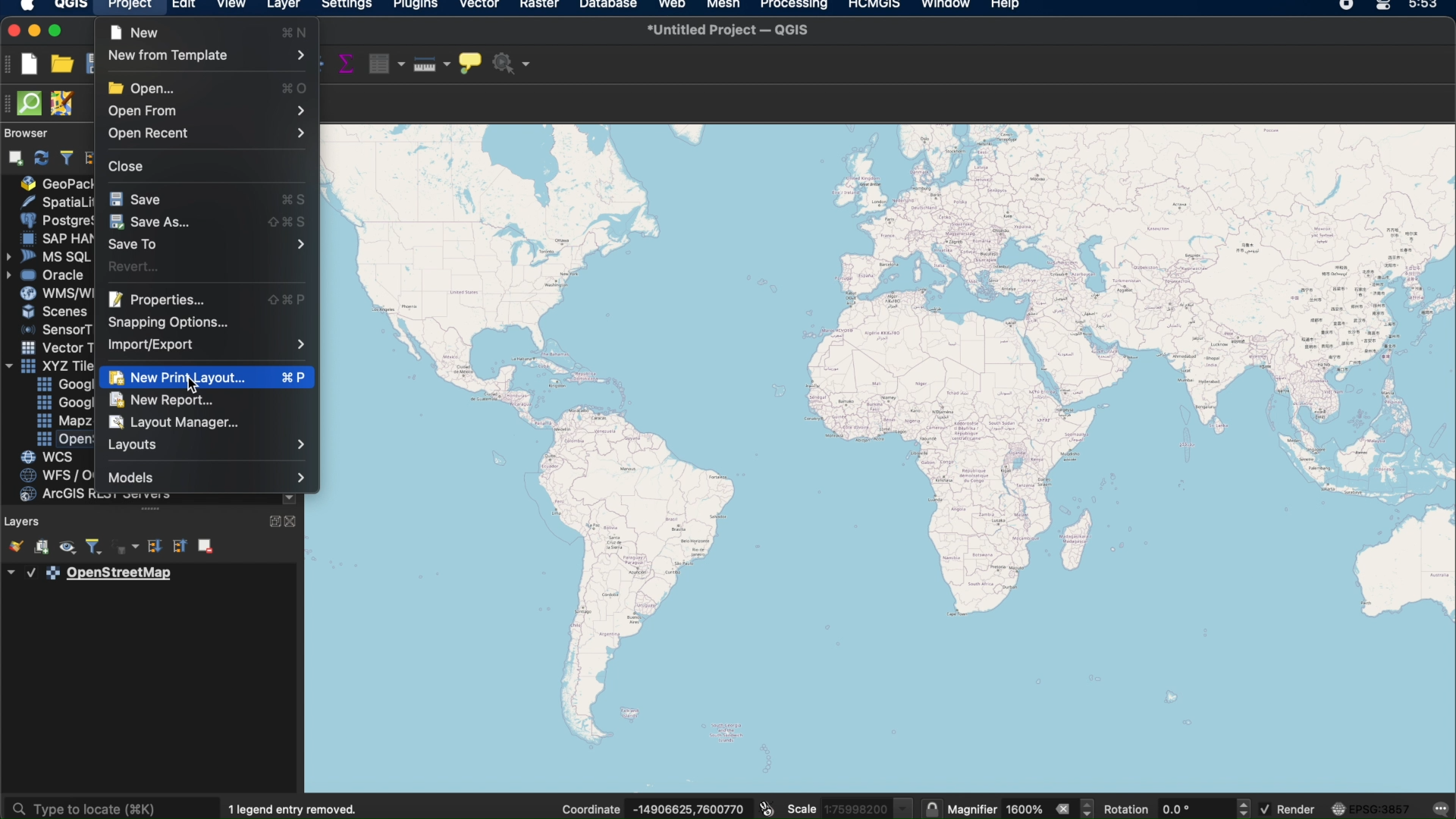 The height and width of the screenshot is (819, 1456). Describe the element at coordinates (153, 546) in the screenshot. I see `expand all` at that location.